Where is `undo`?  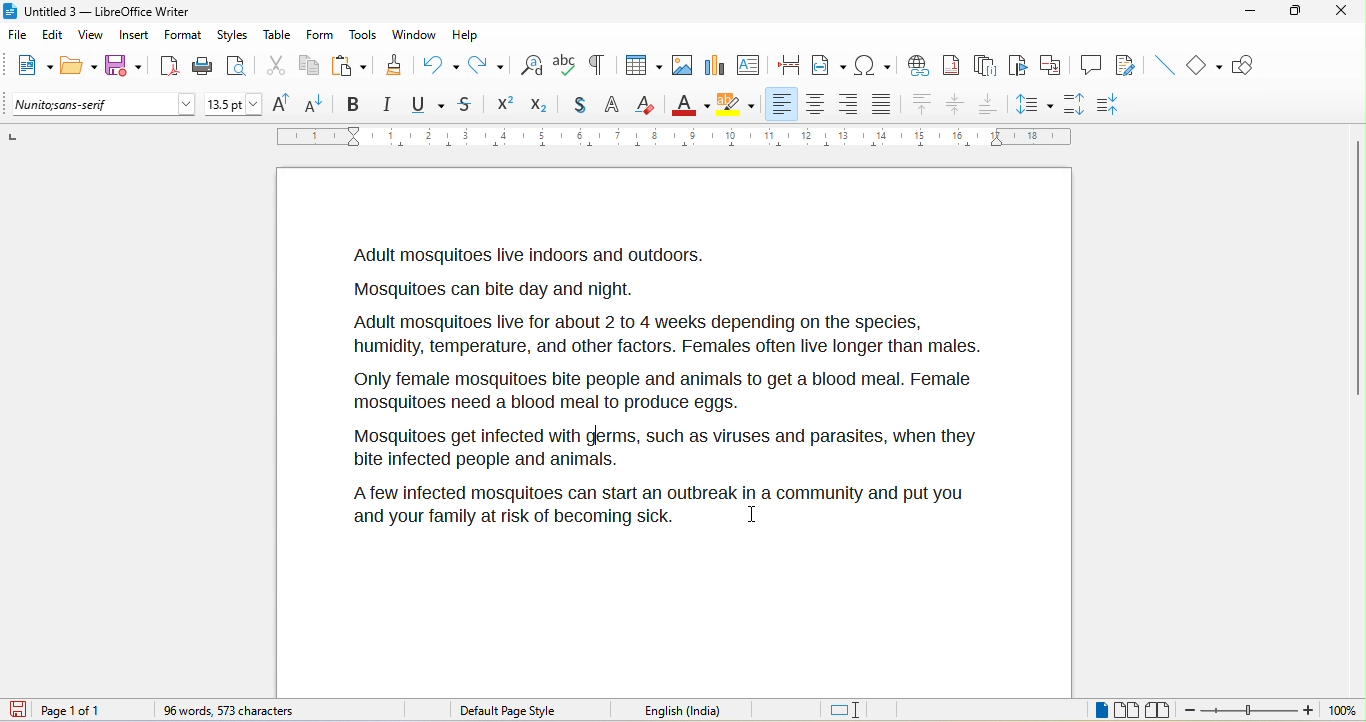
undo is located at coordinates (441, 63).